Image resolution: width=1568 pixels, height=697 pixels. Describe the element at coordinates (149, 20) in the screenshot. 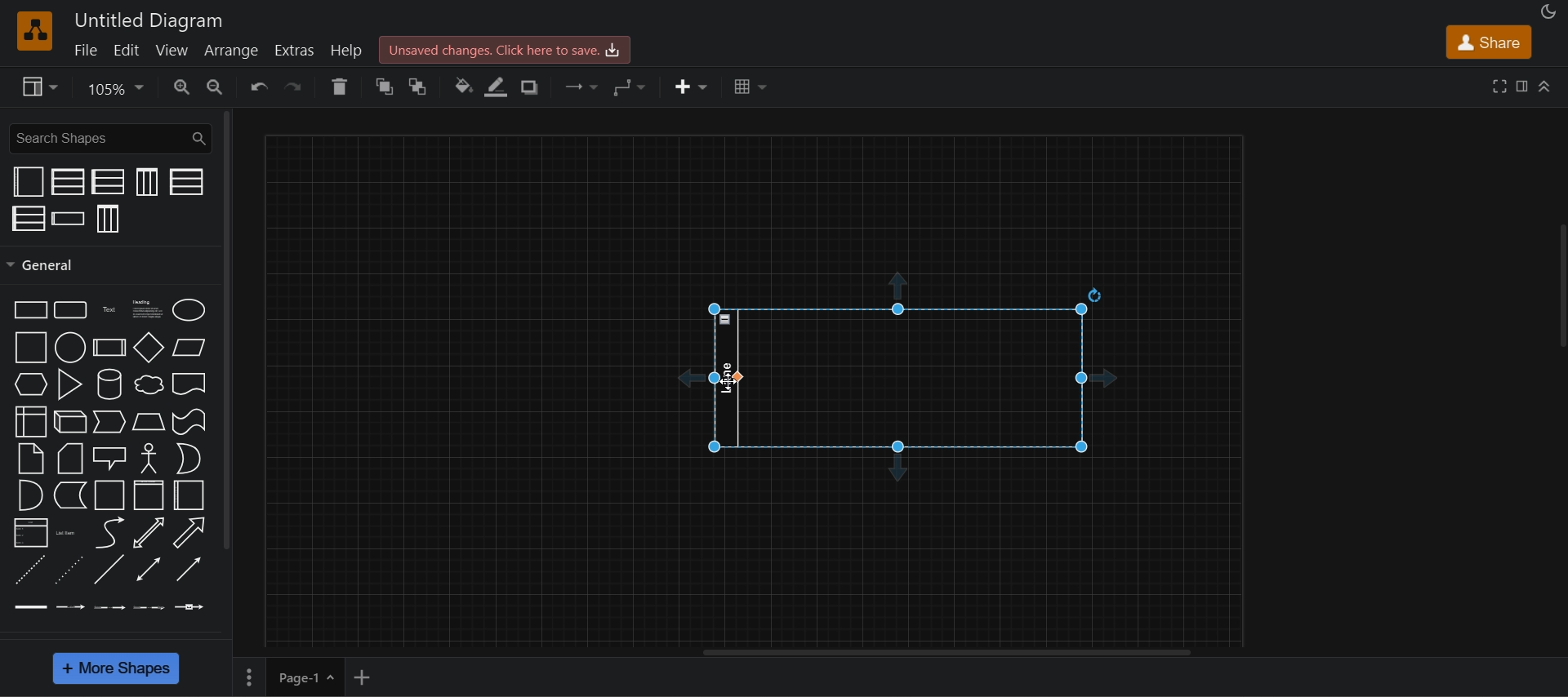

I see `Untitled diagram` at that location.